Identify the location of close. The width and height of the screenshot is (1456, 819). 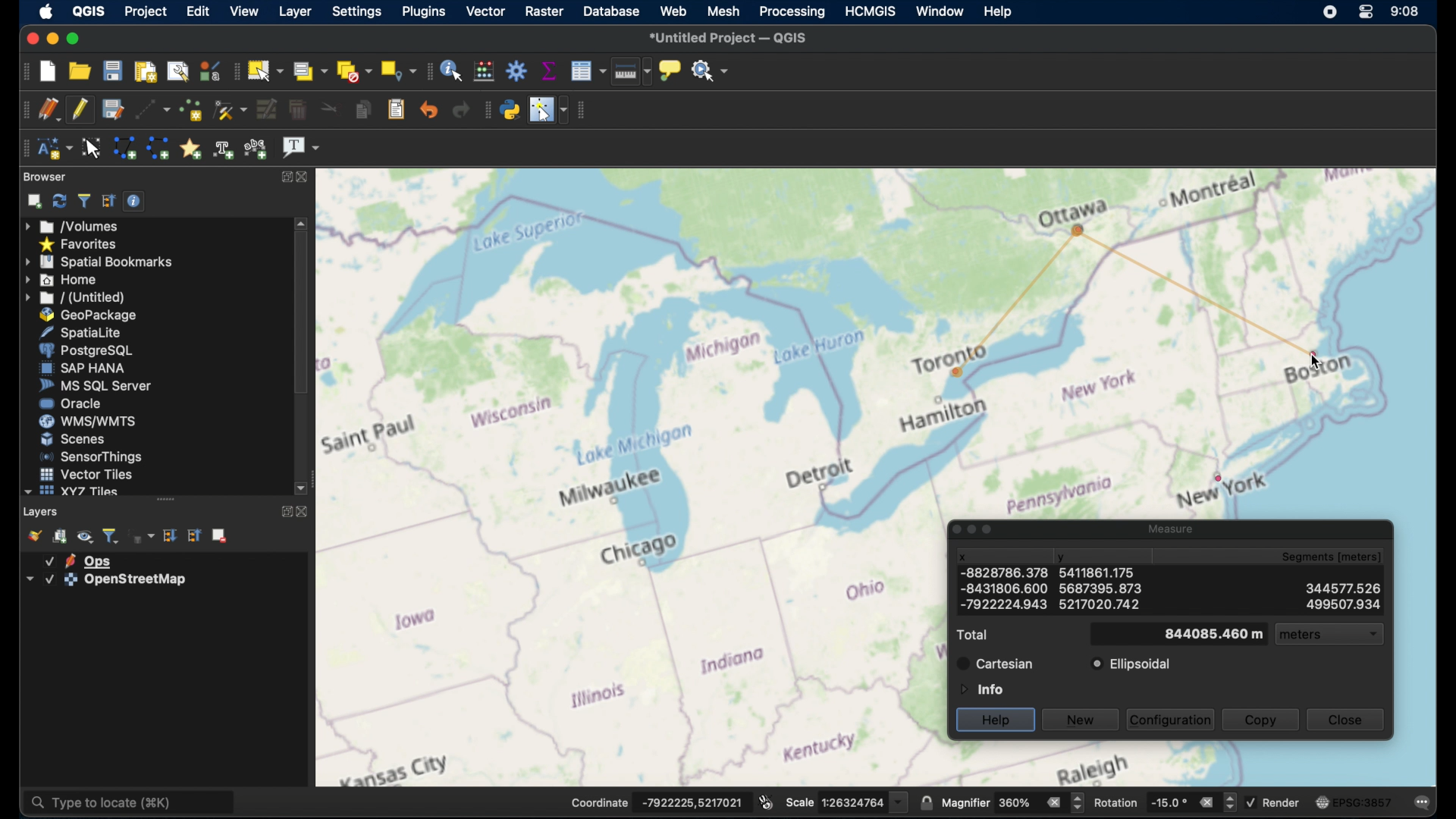
(31, 36).